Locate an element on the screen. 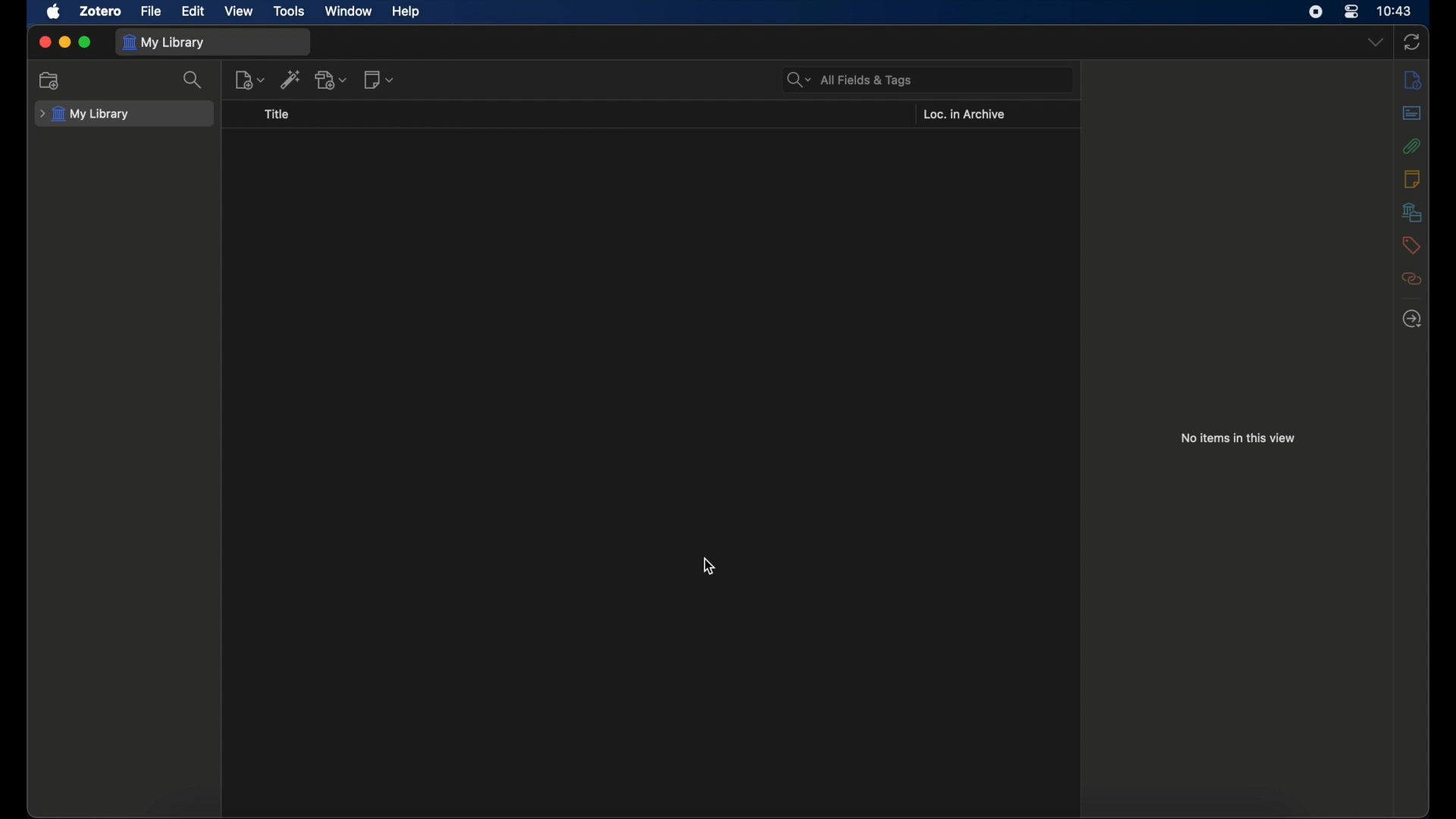 This screenshot has height=819, width=1456. add attachments is located at coordinates (331, 79).